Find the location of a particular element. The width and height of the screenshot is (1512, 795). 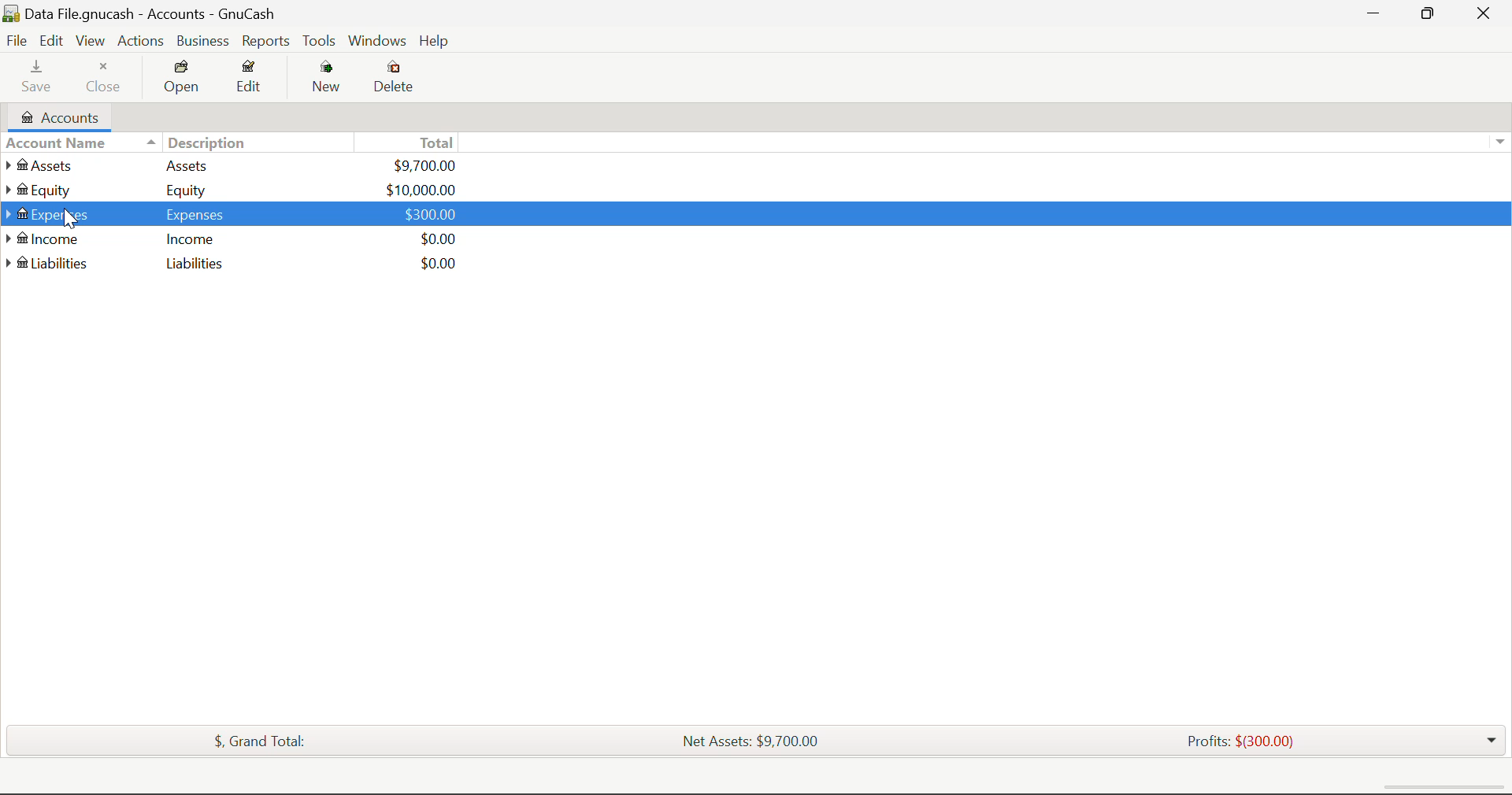

Tools is located at coordinates (320, 42).